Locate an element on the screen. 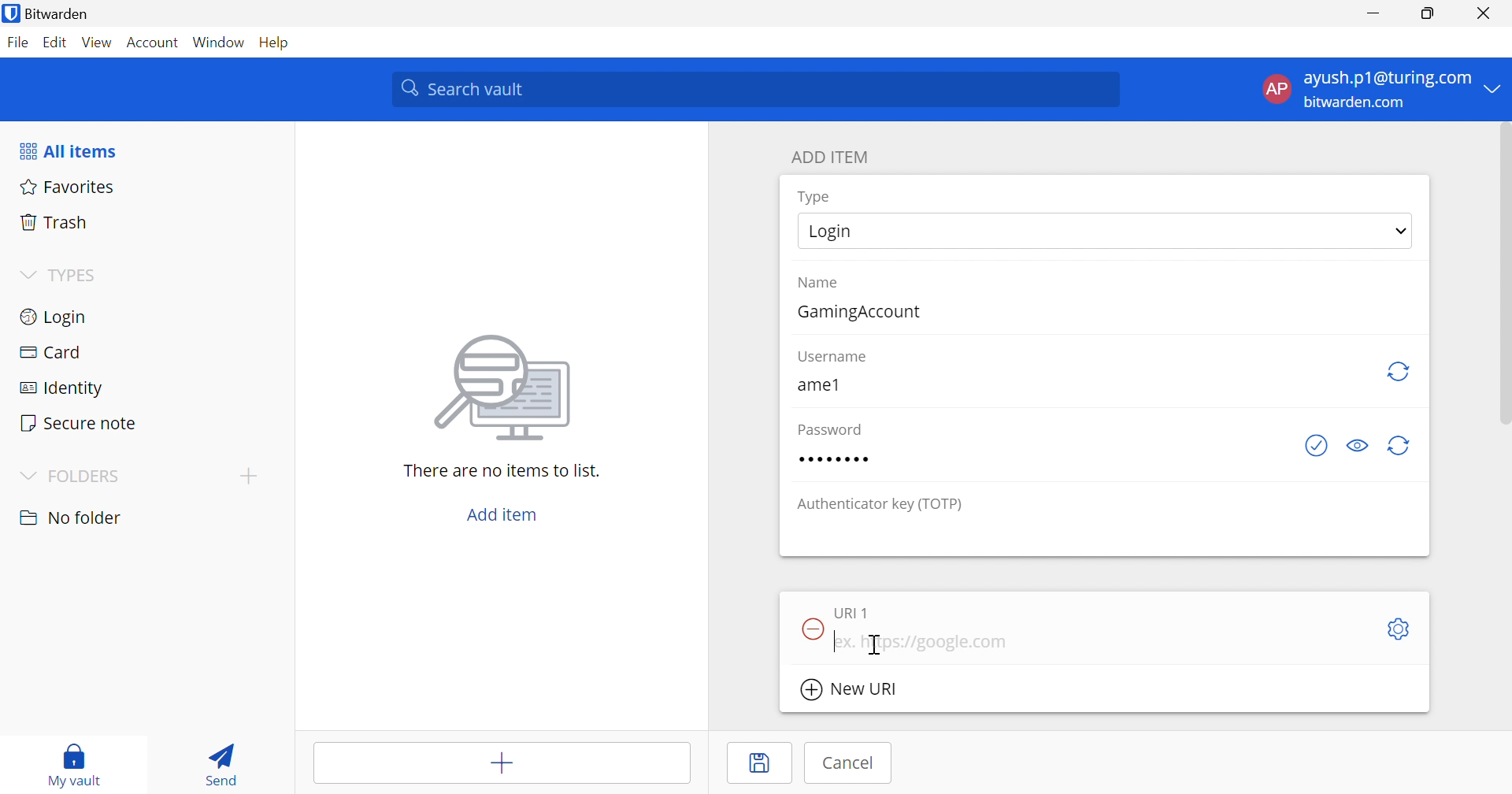 This screenshot has width=1512, height=794. Identity is located at coordinates (63, 390).